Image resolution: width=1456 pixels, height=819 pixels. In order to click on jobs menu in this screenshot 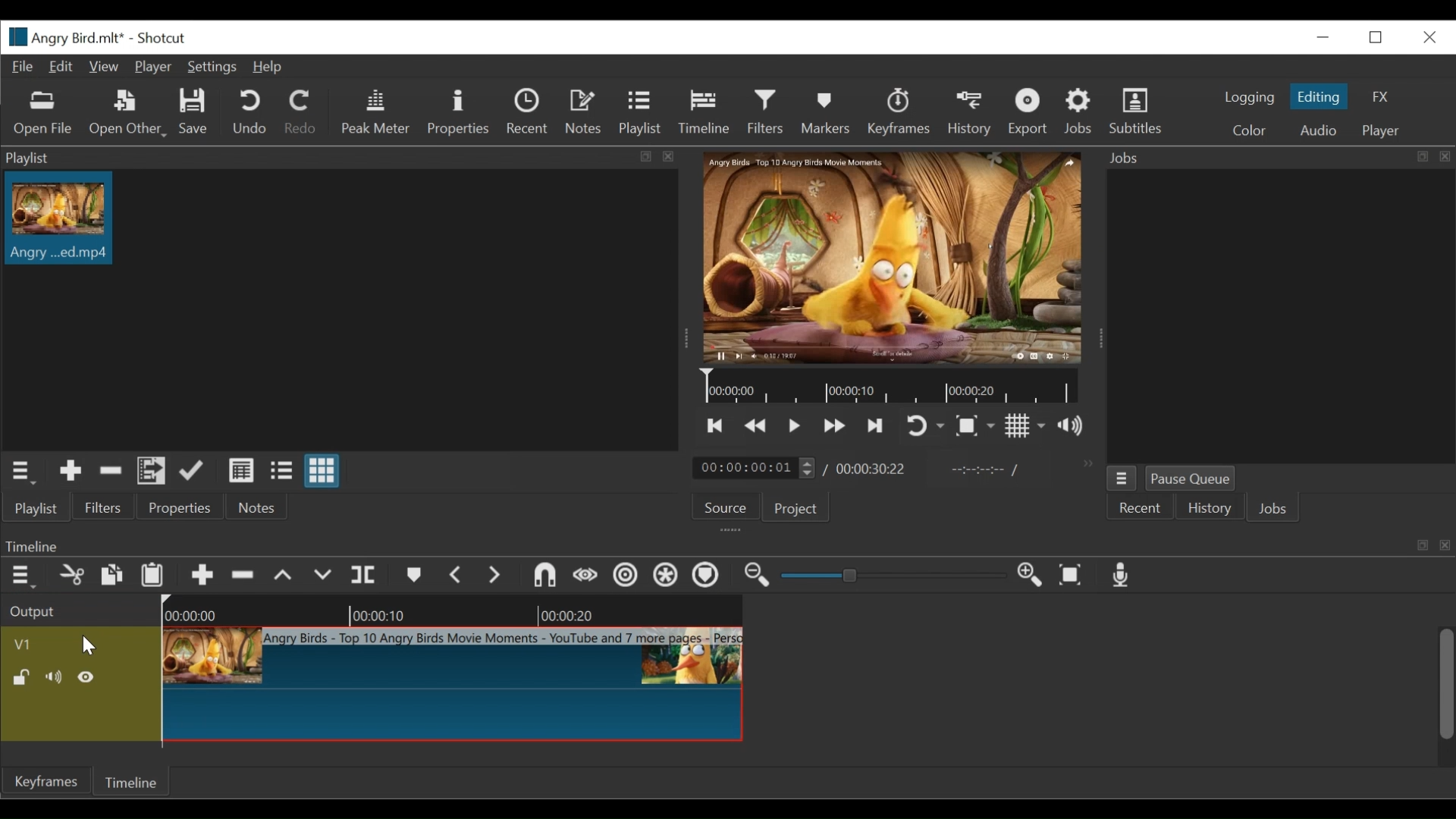, I will do `click(1121, 479)`.